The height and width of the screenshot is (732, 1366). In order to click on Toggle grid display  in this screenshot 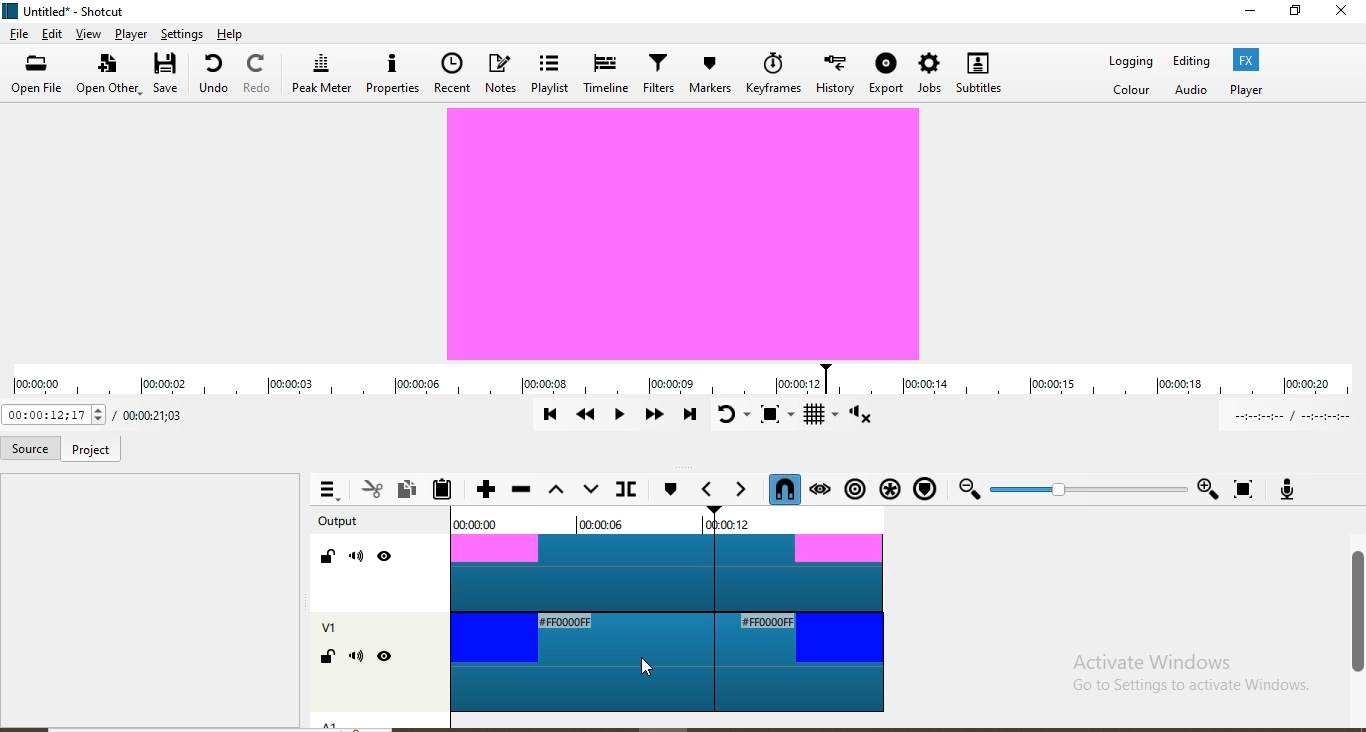, I will do `click(824, 416)`.